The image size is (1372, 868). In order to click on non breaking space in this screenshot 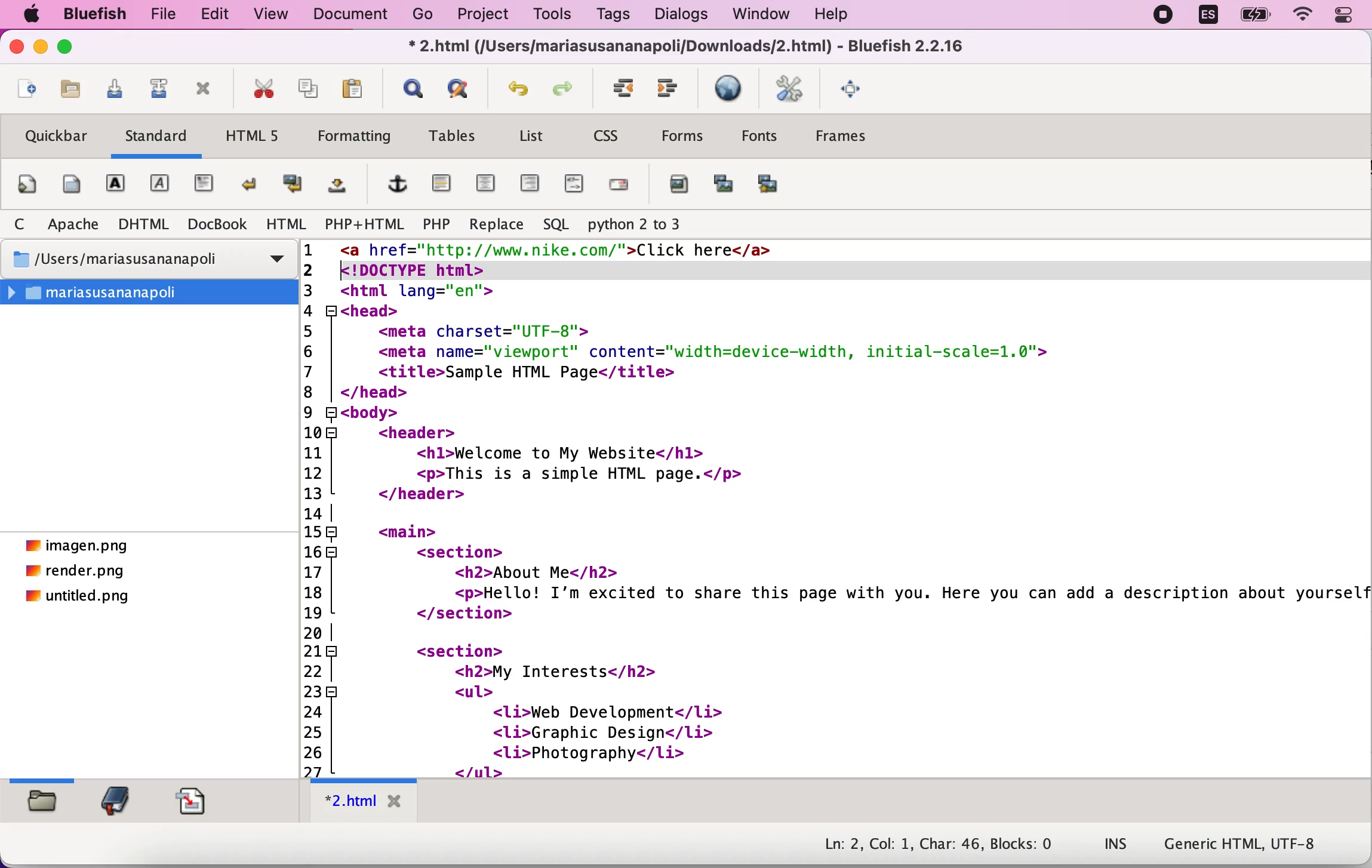, I will do `click(336, 189)`.